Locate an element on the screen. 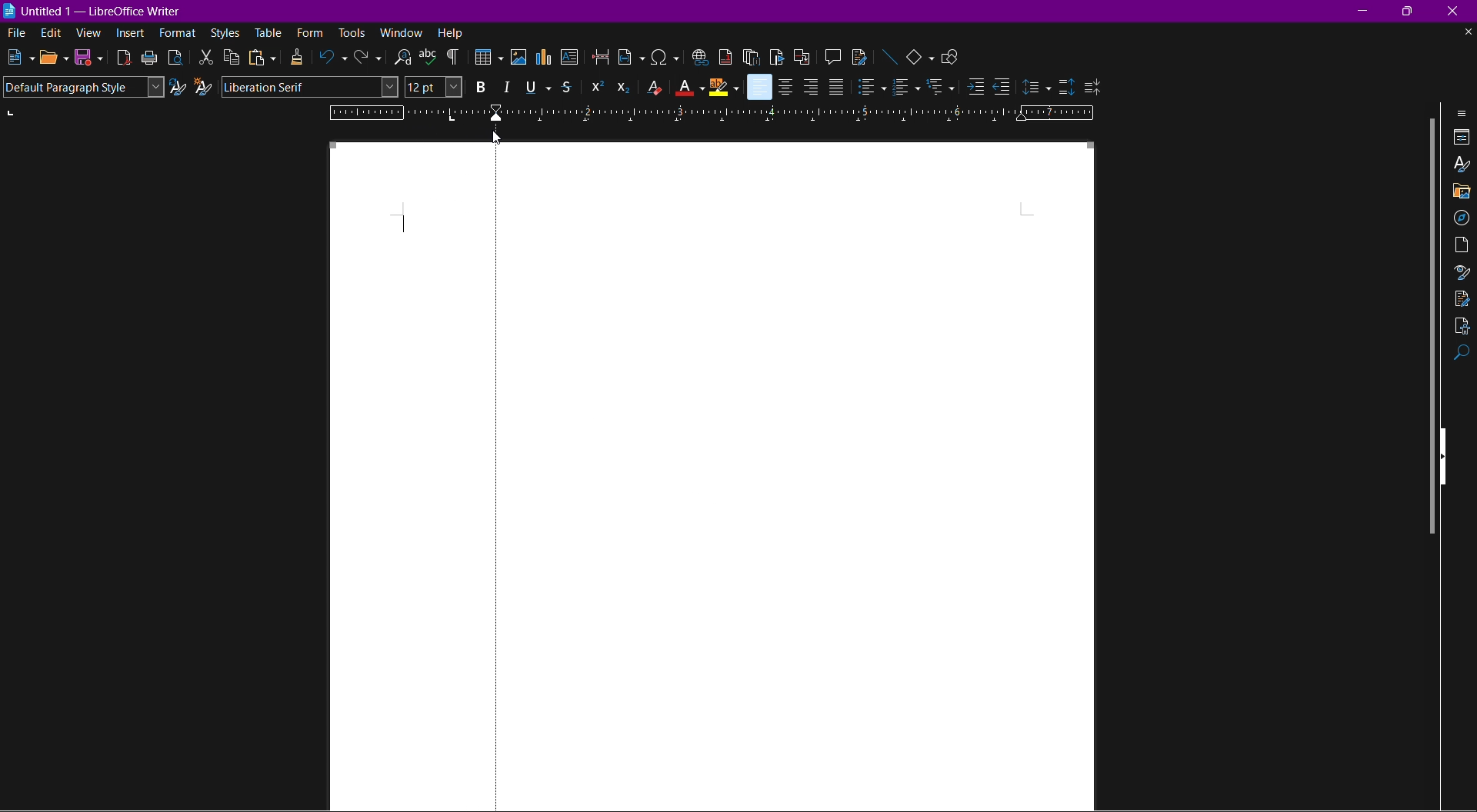  Indent pointer (1 inch indent) is located at coordinates (498, 116).